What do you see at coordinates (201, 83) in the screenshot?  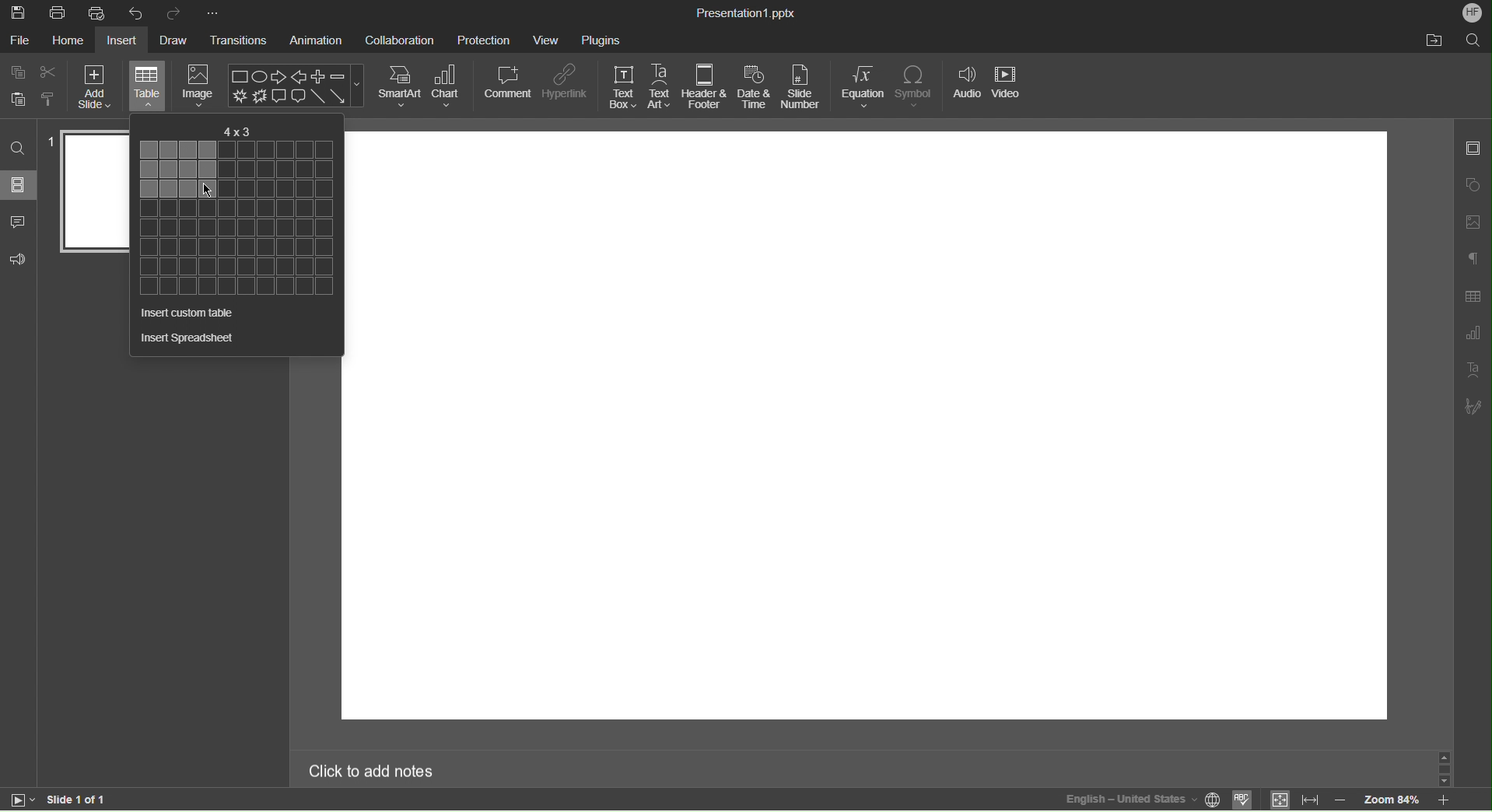 I see `Image` at bounding box center [201, 83].